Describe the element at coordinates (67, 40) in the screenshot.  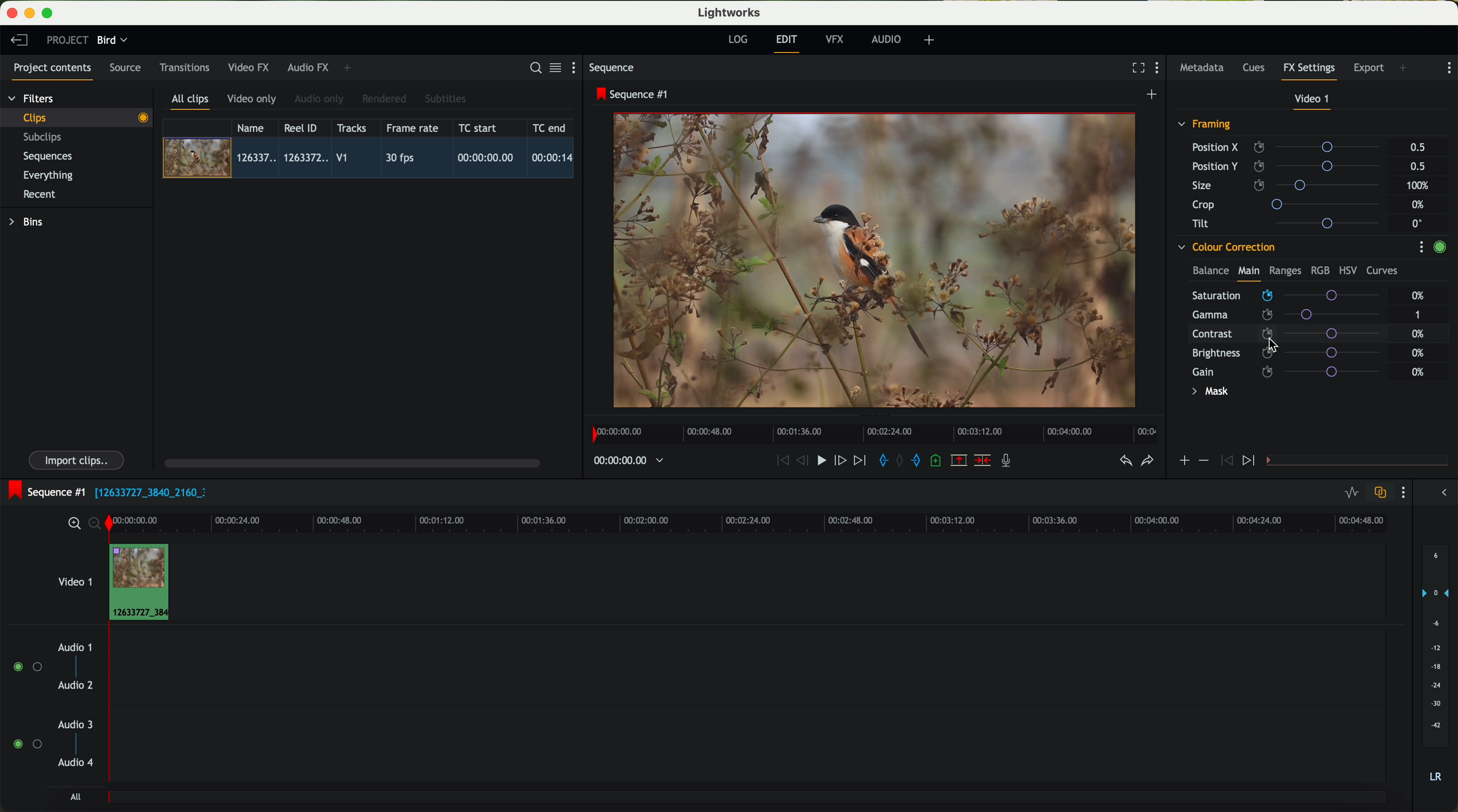
I see `project` at that location.